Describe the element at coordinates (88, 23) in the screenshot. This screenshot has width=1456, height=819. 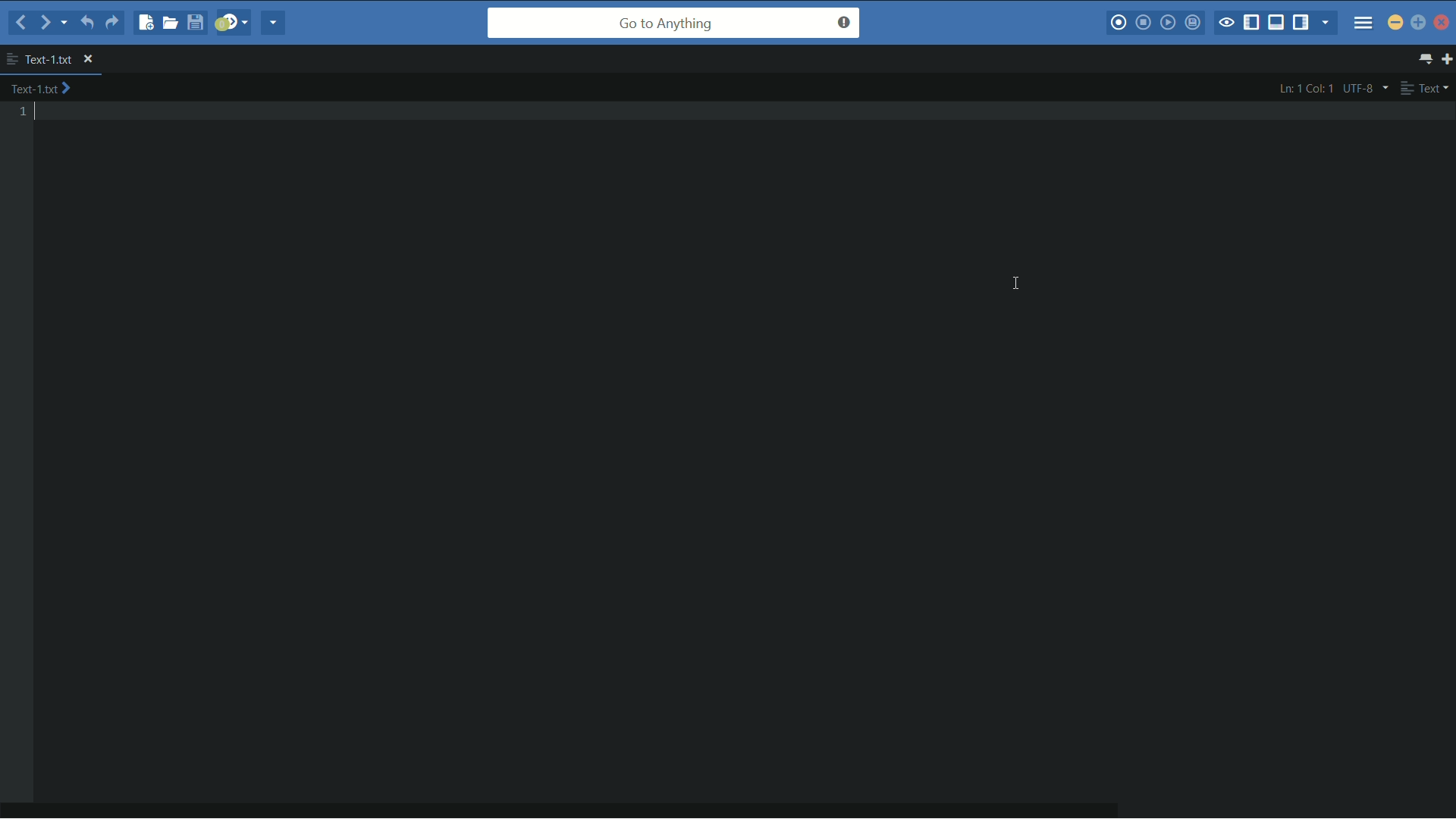
I see `undo` at that location.